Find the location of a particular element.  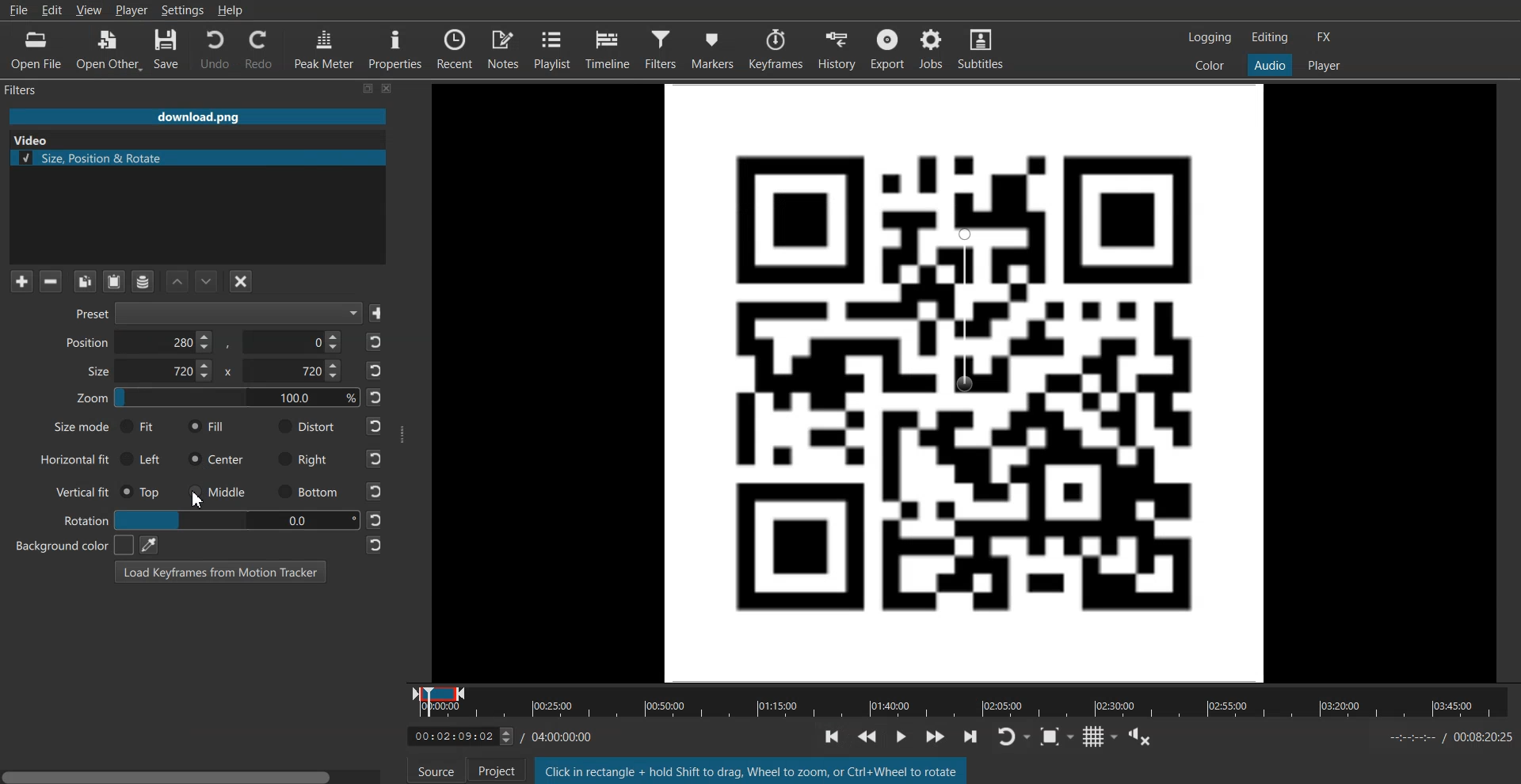

Peak Meter is located at coordinates (322, 50).